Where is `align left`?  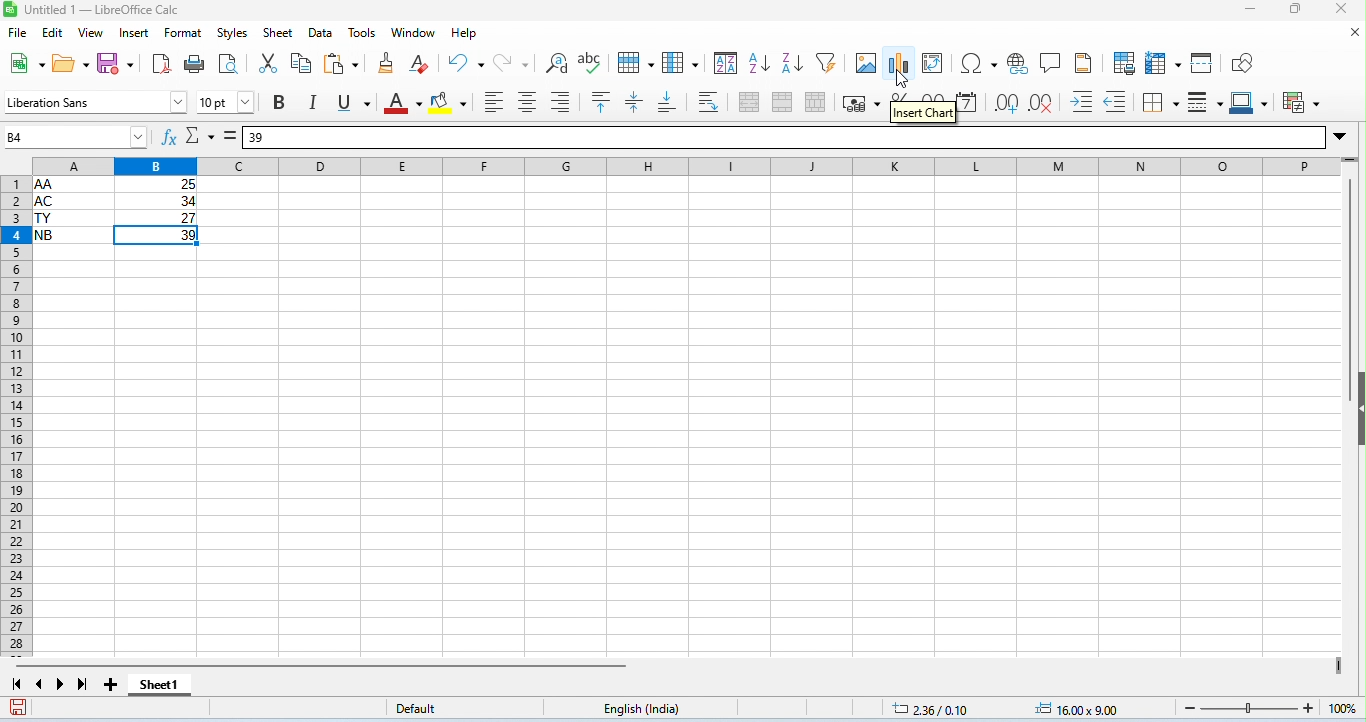
align left is located at coordinates (495, 103).